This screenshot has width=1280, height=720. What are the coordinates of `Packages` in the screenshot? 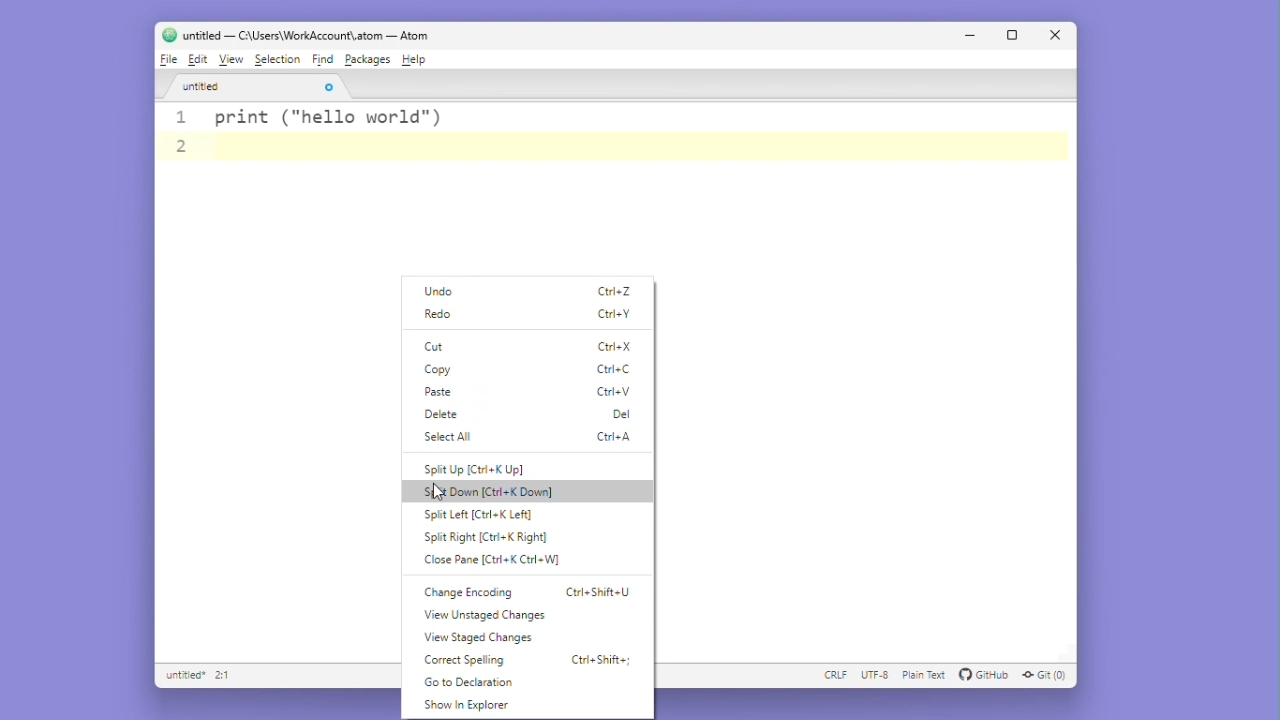 It's located at (368, 58).